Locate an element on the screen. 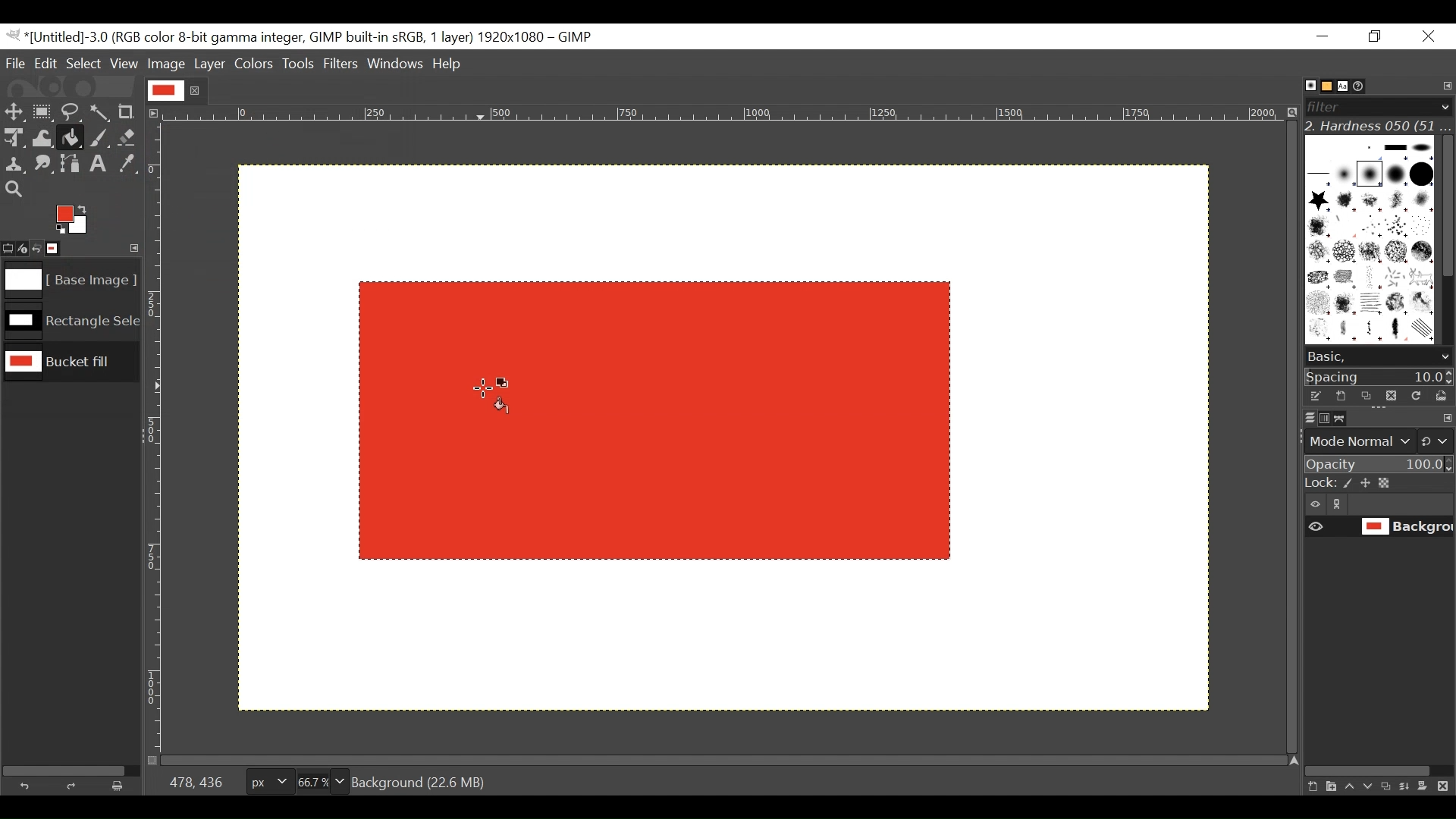 The width and height of the screenshot is (1456, 819). Path tool is located at coordinates (72, 164).